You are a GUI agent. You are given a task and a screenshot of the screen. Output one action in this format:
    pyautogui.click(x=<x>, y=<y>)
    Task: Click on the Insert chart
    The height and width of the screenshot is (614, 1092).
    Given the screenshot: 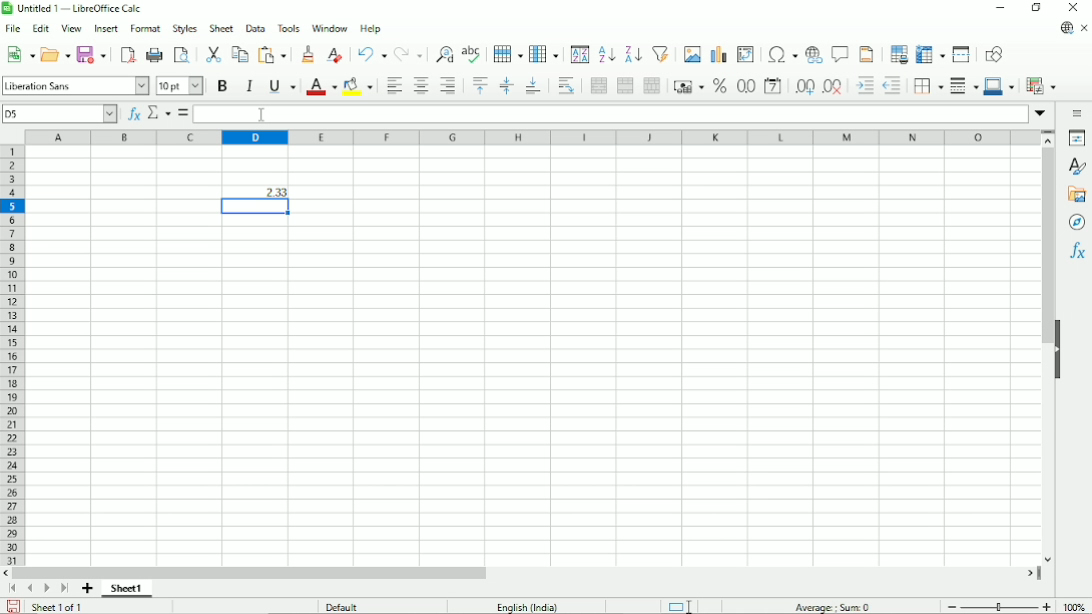 What is the action you would take?
    pyautogui.click(x=719, y=54)
    